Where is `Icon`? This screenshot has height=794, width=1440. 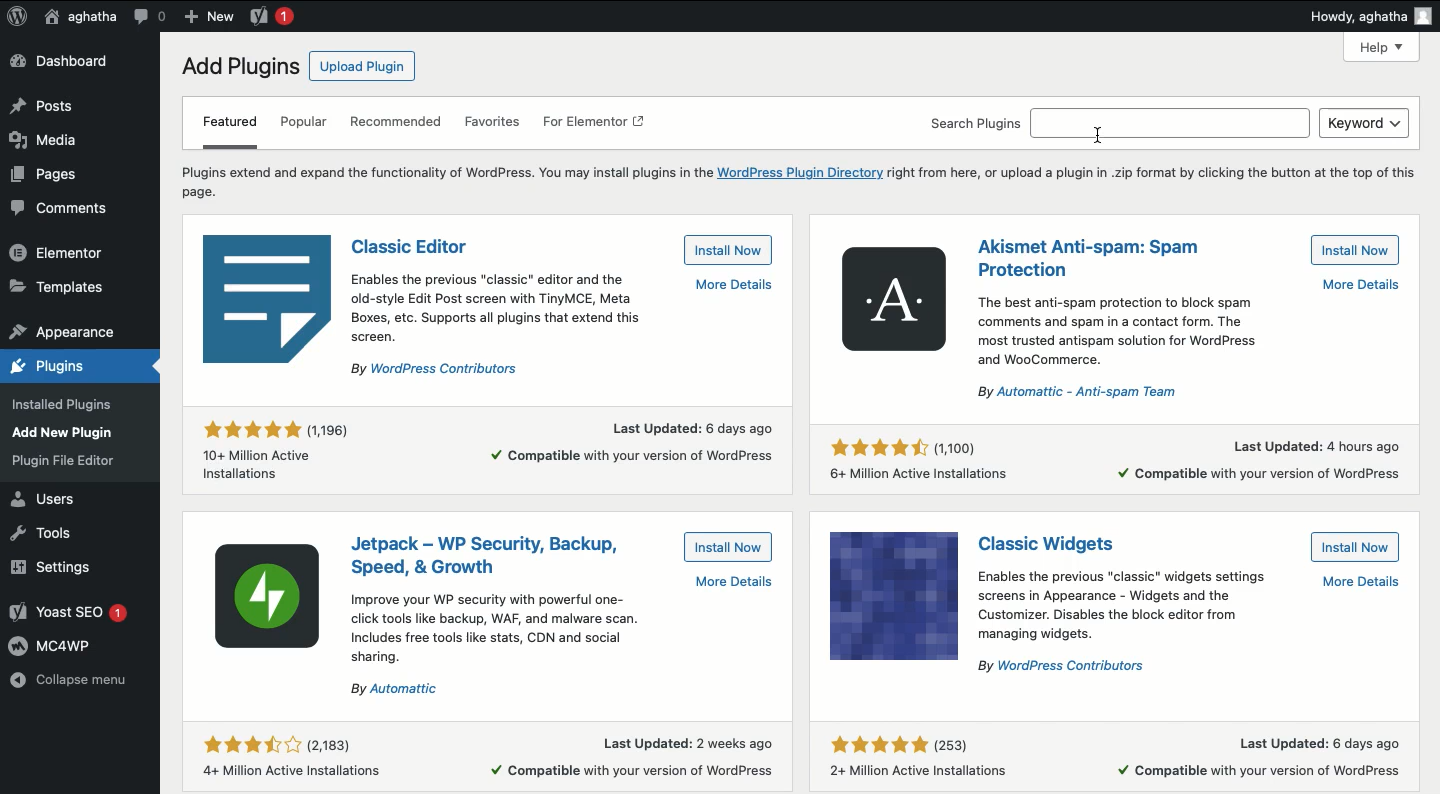
Icon is located at coordinates (271, 601).